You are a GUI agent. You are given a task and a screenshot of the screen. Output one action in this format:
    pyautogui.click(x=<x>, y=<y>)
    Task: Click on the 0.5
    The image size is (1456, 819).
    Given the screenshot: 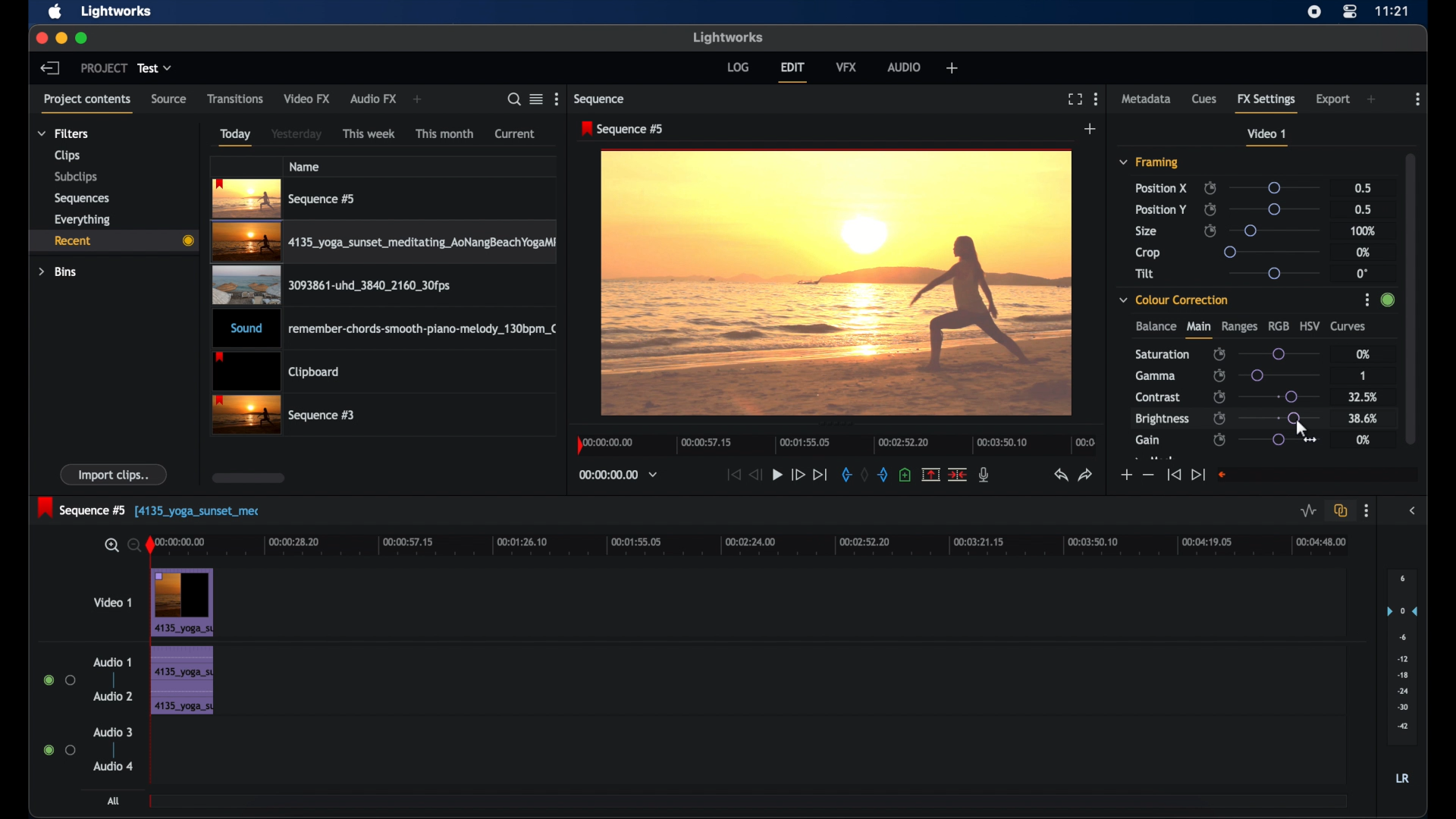 What is the action you would take?
    pyautogui.click(x=1365, y=209)
    